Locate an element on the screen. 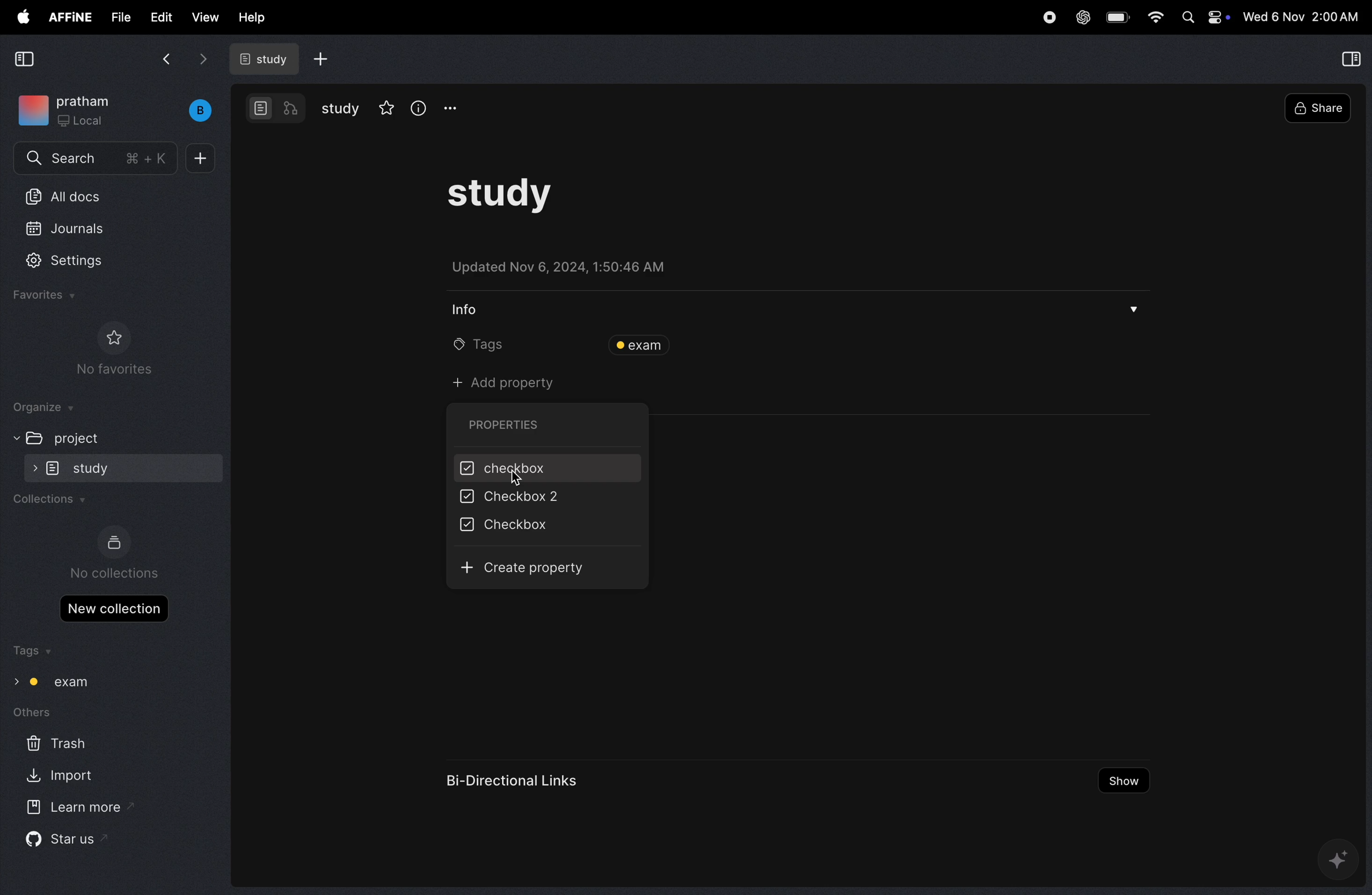  properties is located at coordinates (503, 420).